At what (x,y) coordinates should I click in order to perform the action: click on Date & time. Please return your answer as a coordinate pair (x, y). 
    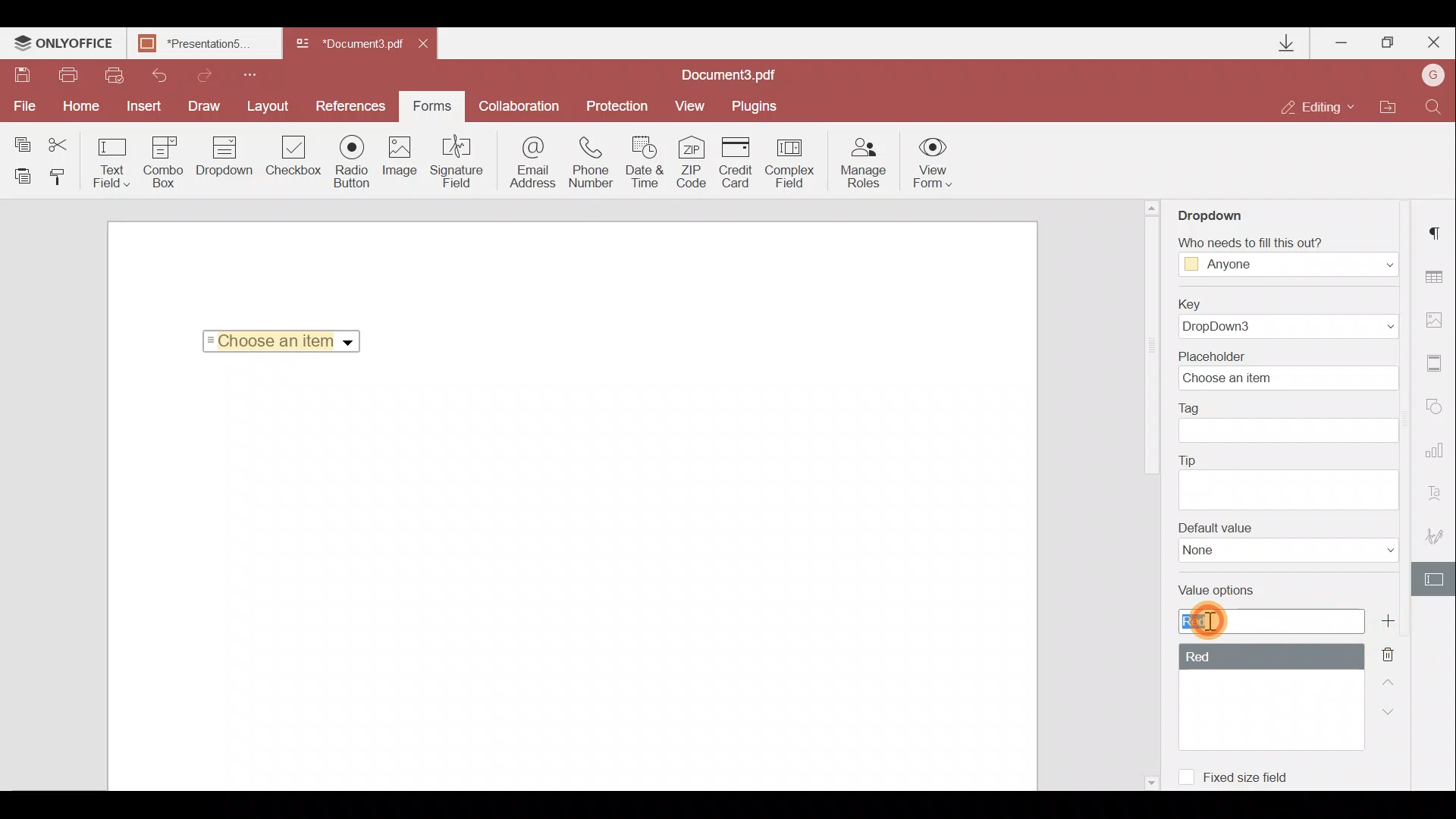
    Looking at the image, I should click on (648, 162).